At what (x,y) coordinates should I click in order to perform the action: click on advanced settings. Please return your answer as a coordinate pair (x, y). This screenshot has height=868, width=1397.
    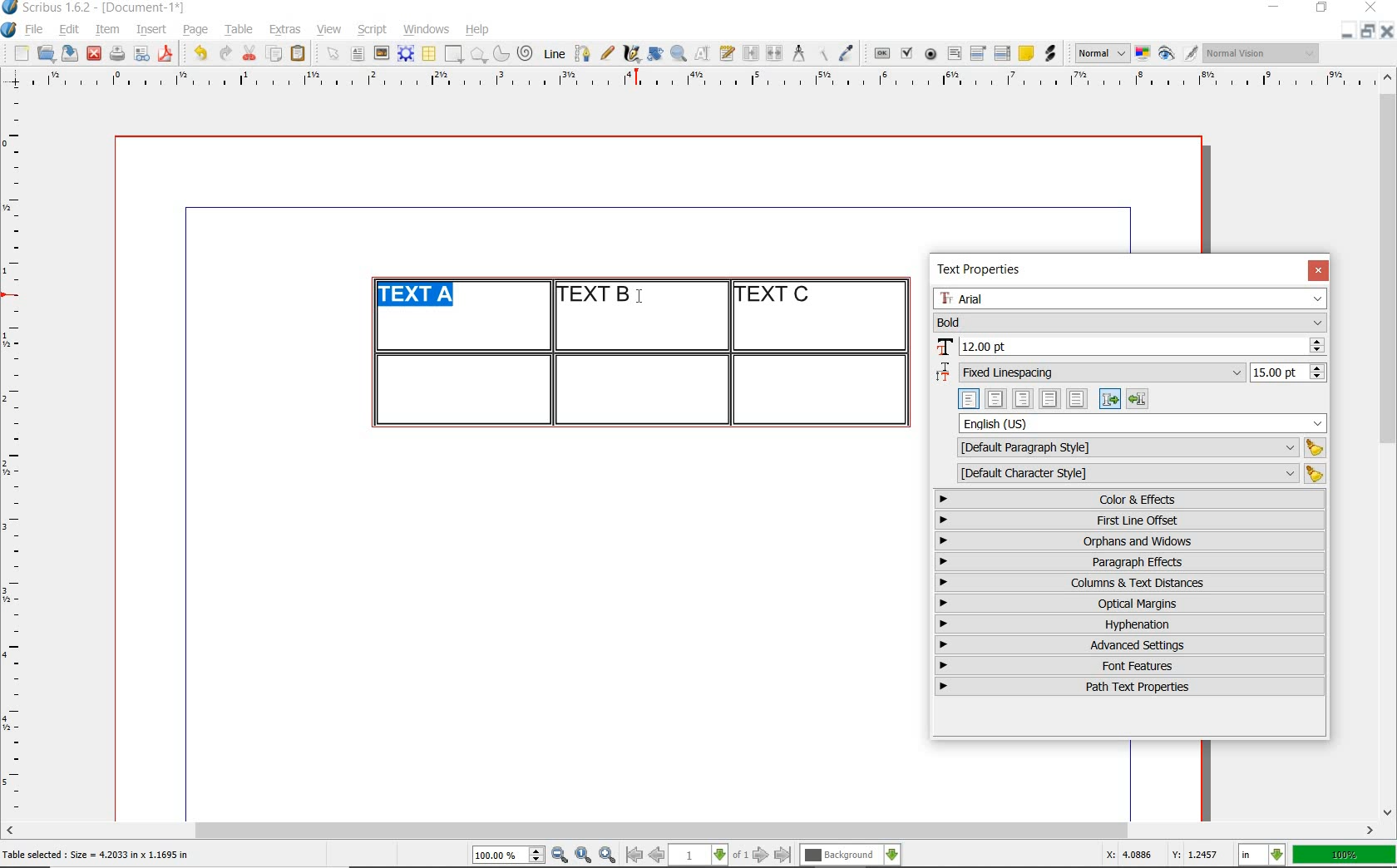
    Looking at the image, I should click on (1128, 644).